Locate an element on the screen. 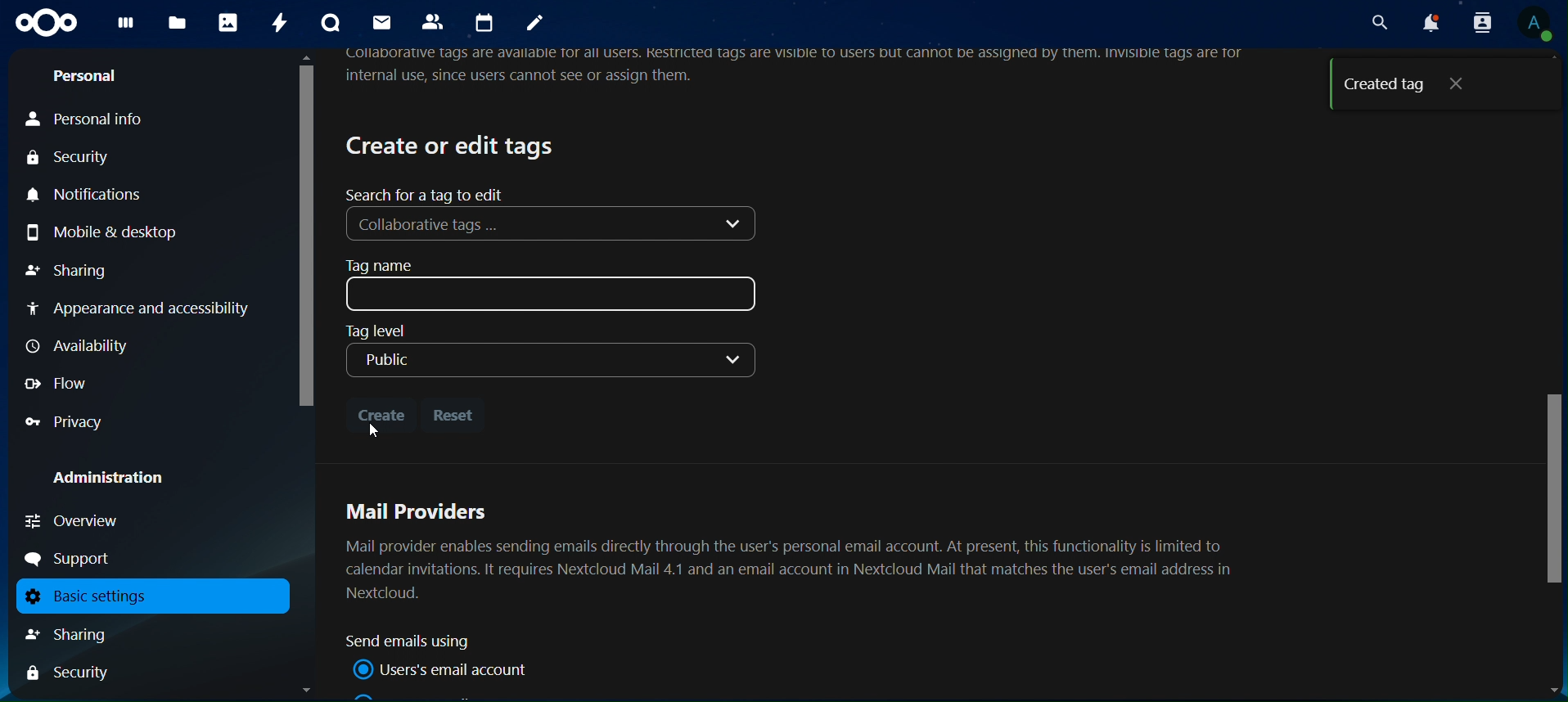 The height and width of the screenshot is (702, 1568). privacy is located at coordinates (65, 422).